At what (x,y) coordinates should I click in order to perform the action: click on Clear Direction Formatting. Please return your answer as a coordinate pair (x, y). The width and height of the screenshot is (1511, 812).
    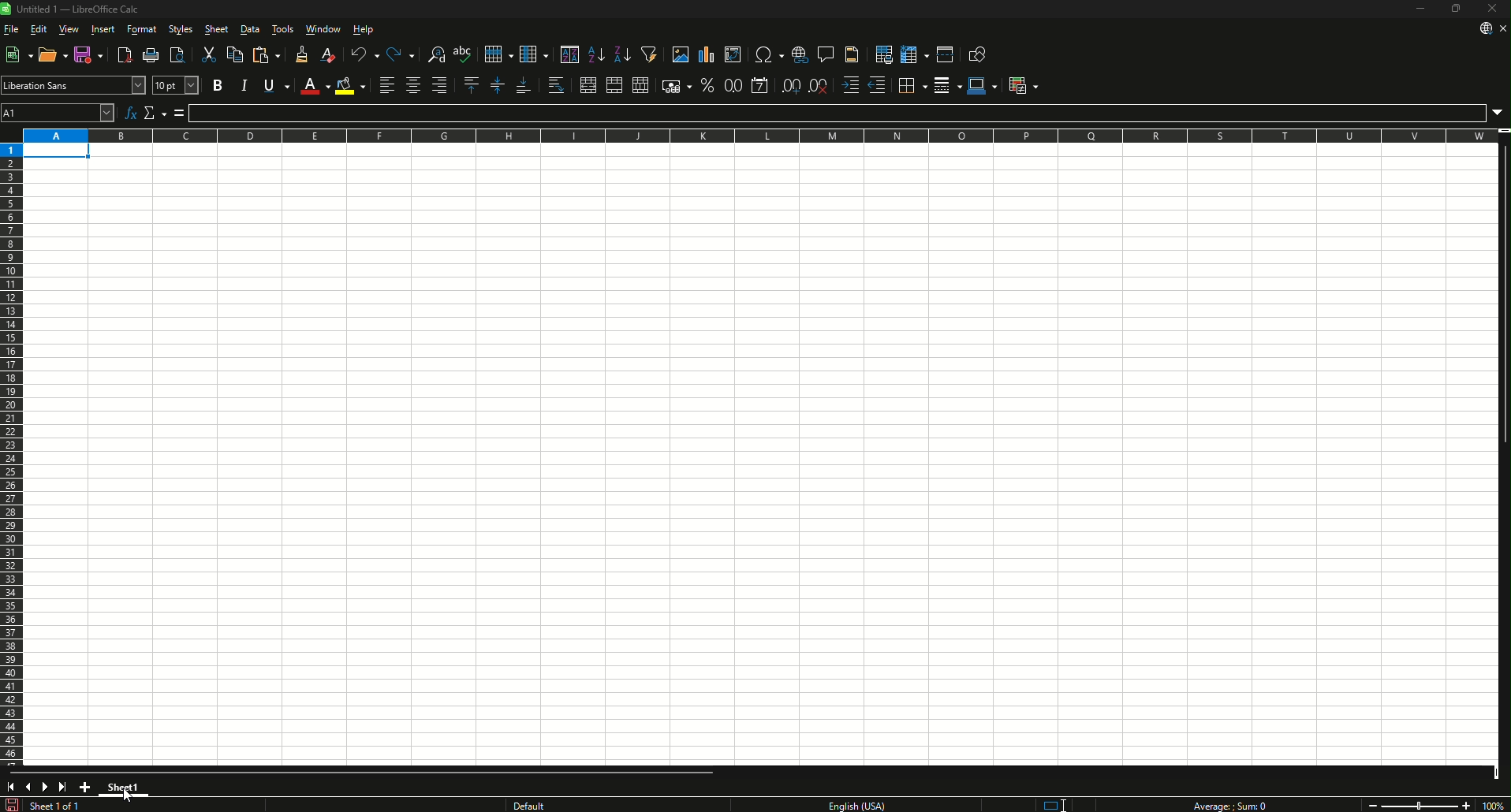
    Looking at the image, I should click on (329, 54).